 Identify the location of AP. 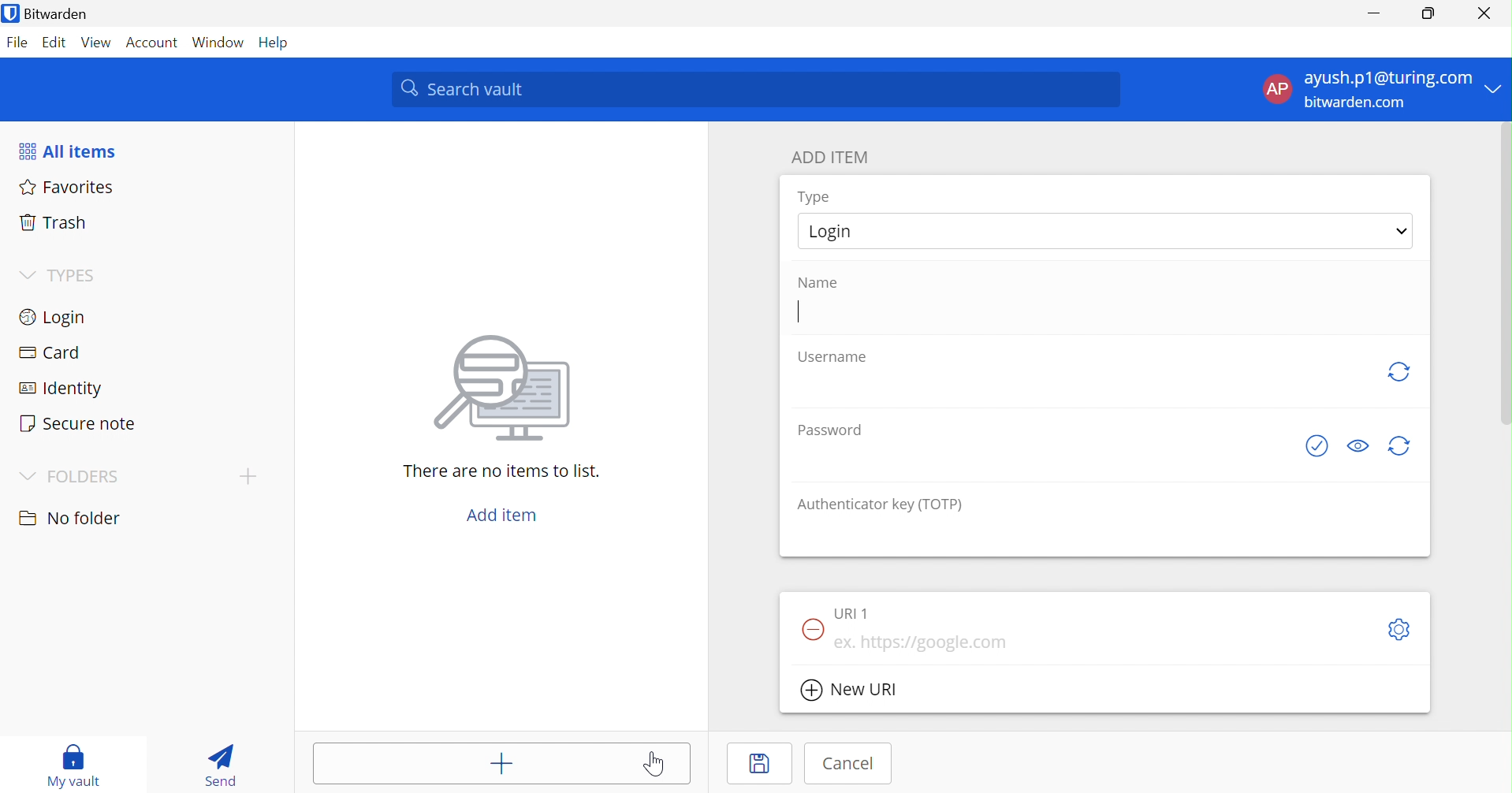
(1277, 89).